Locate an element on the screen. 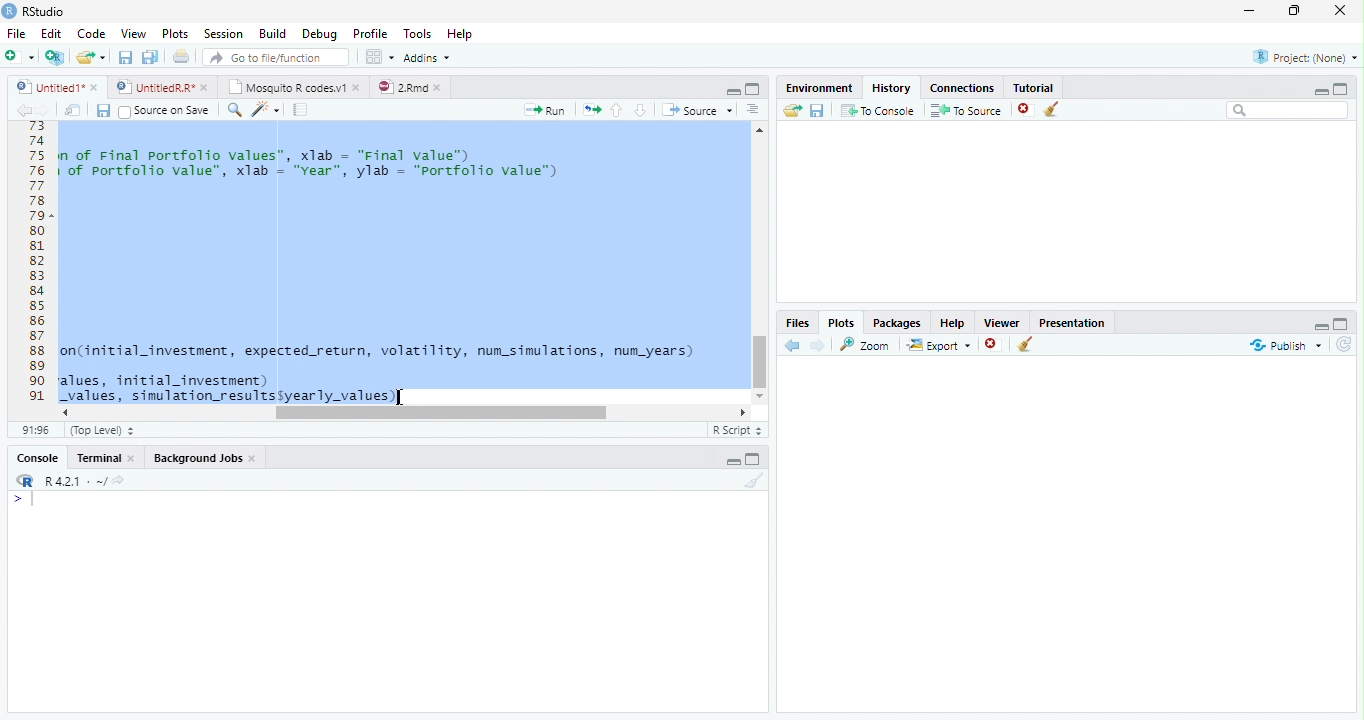 Image resolution: width=1364 pixels, height=720 pixels. Packages is located at coordinates (896, 321).